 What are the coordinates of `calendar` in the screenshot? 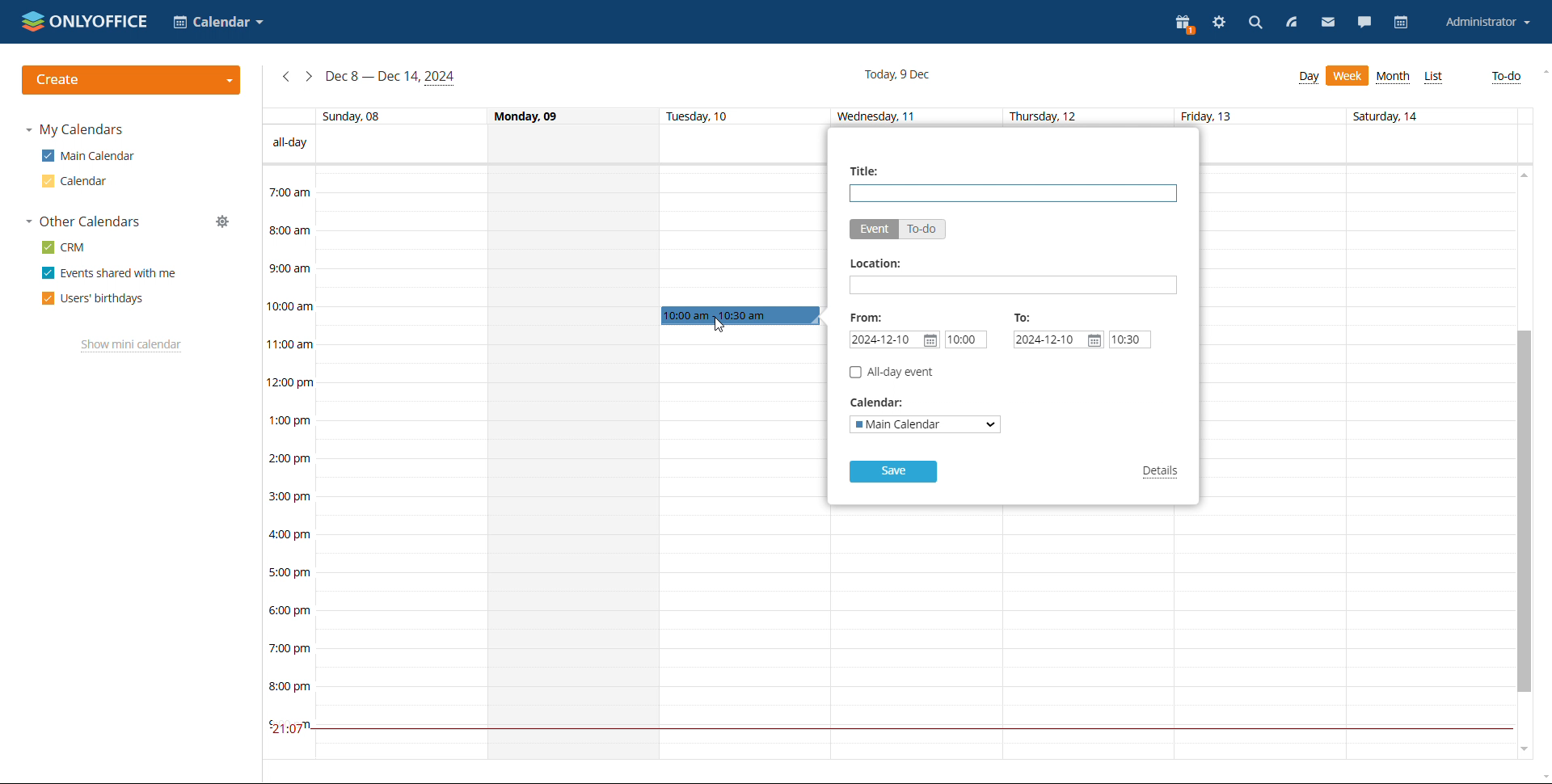 It's located at (1401, 23).